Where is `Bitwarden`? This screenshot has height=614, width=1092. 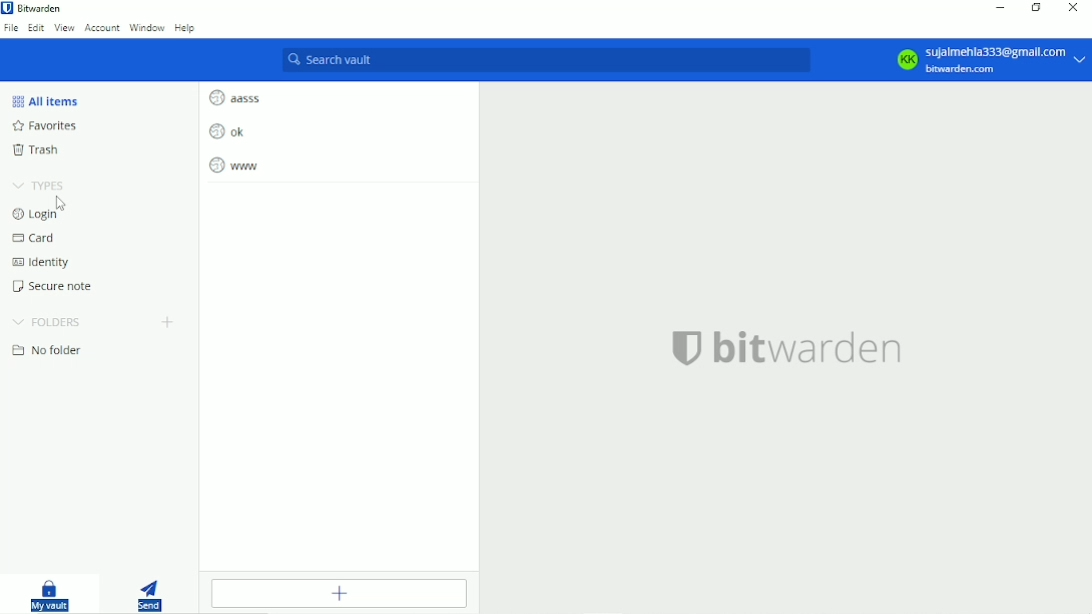
Bitwarden is located at coordinates (42, 8).